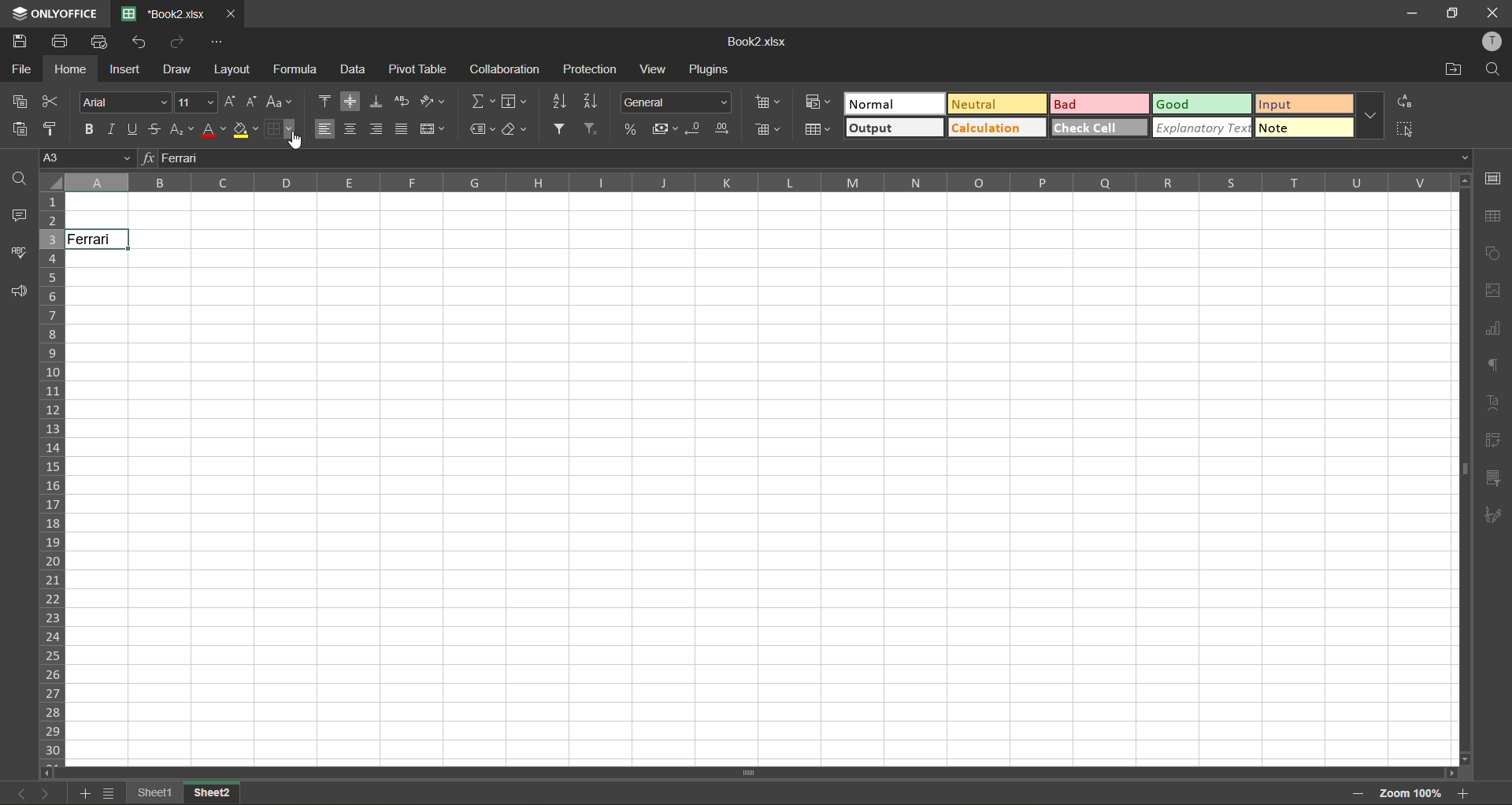  Describe the element at coordinates (83, 157) in the screenshot. I see `cell address` at that location.